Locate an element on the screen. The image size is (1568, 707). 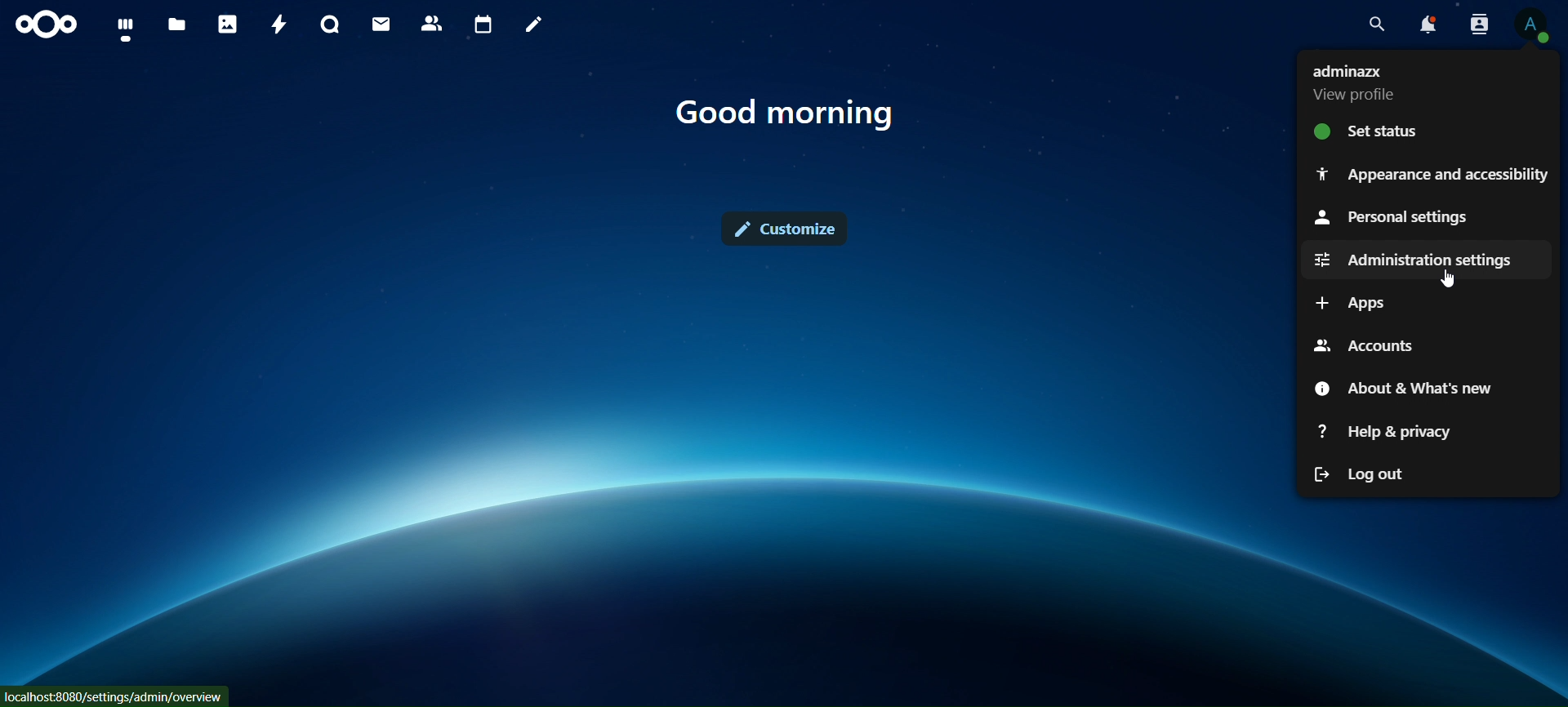
about & what's new is located at coordinates (1400, 387).